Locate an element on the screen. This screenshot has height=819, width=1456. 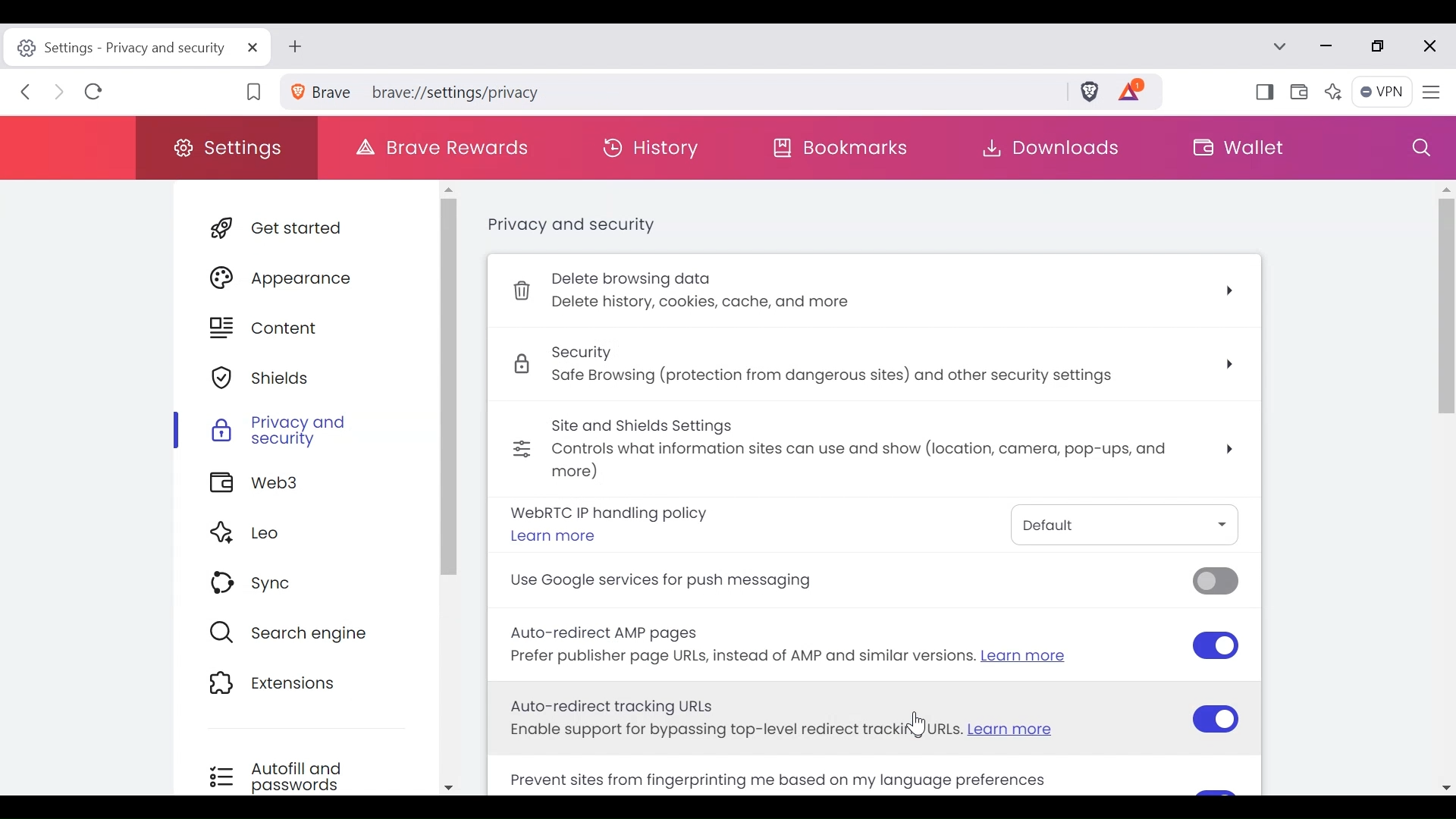
site and shields settings controls what information sites can use and show is located at coordinates (874, 450).